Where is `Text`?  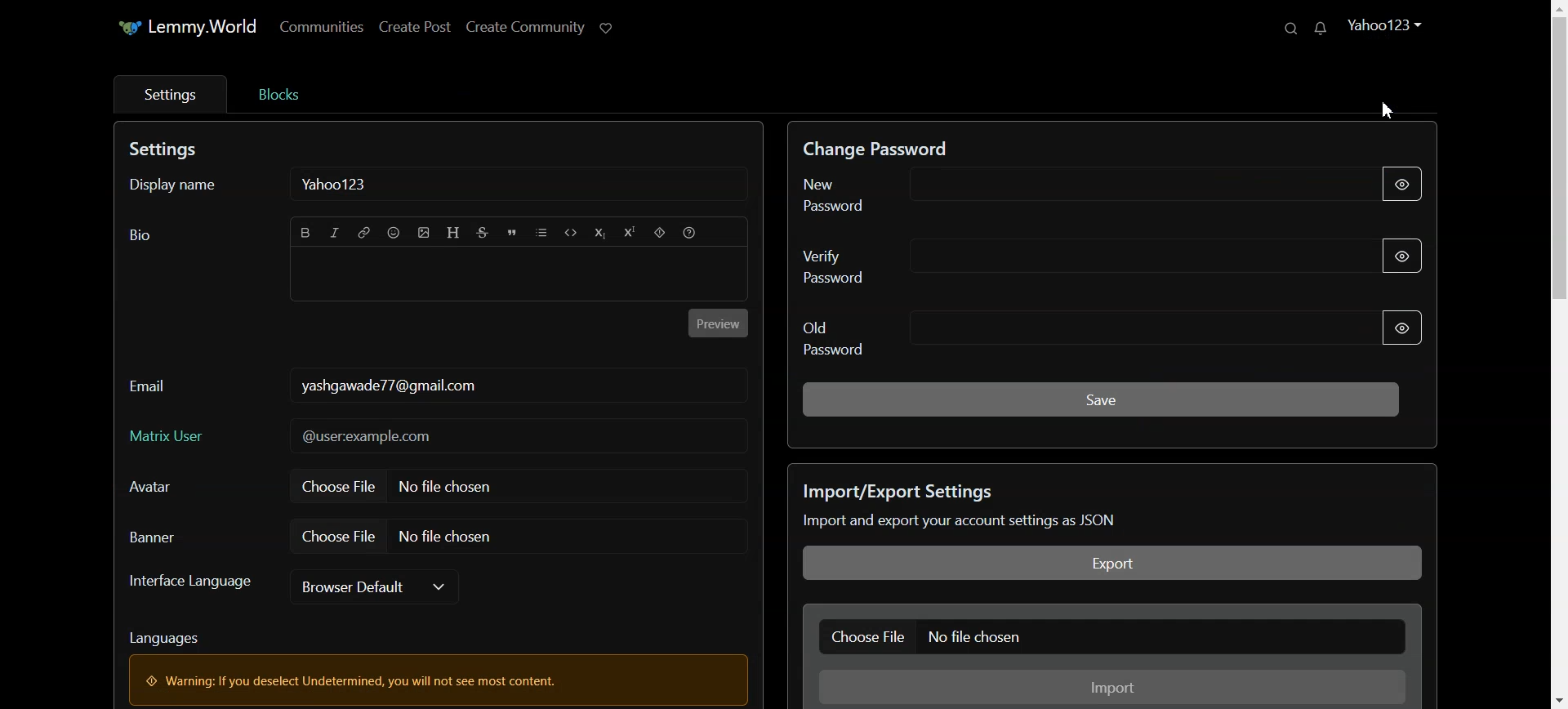 Text is located at coordinates (875, 146).